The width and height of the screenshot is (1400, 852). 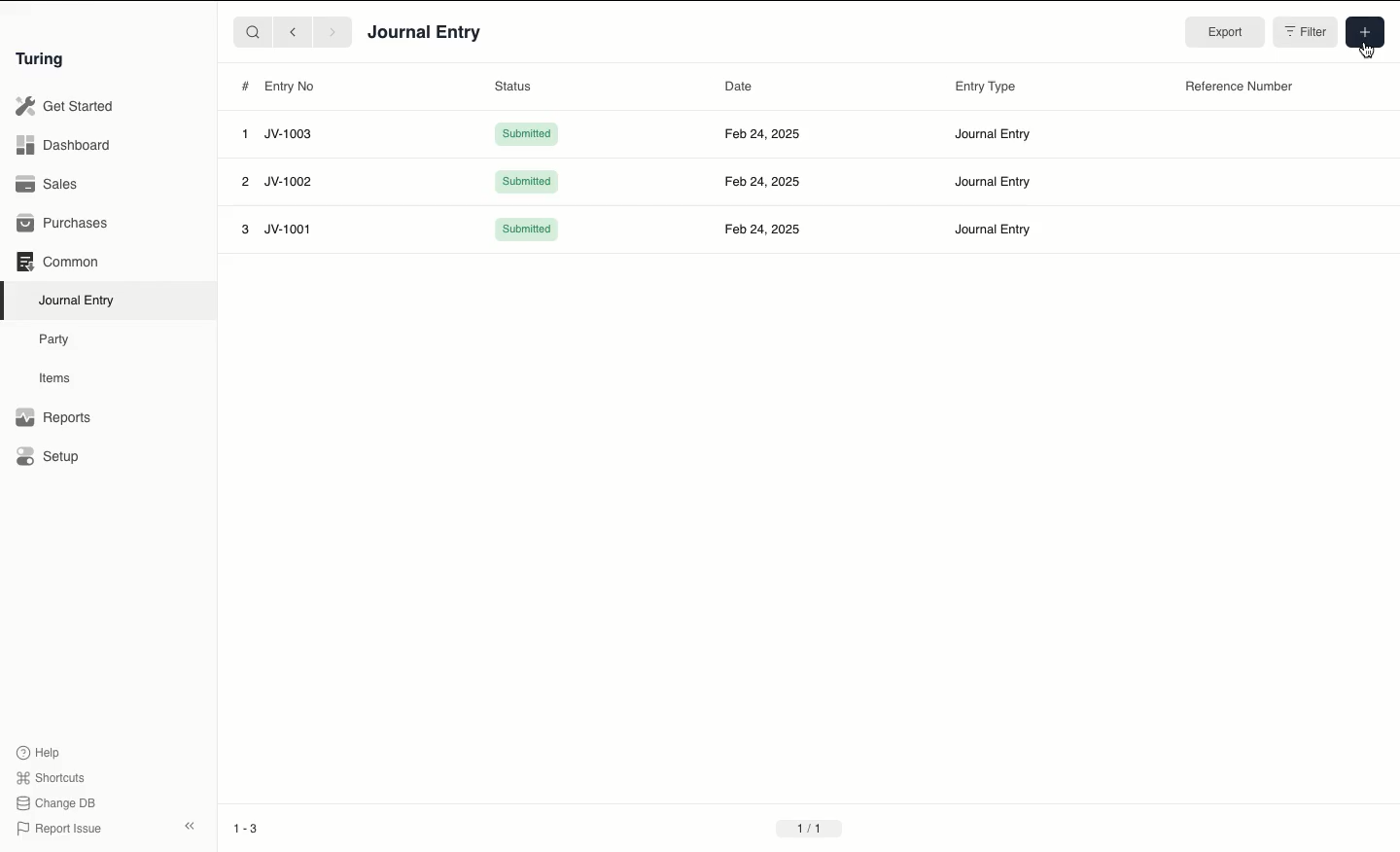 What do you see at coordinates (764, 227) in the screenshot?
I see `Feb 24, 2025` at bounding box center [764, 227].